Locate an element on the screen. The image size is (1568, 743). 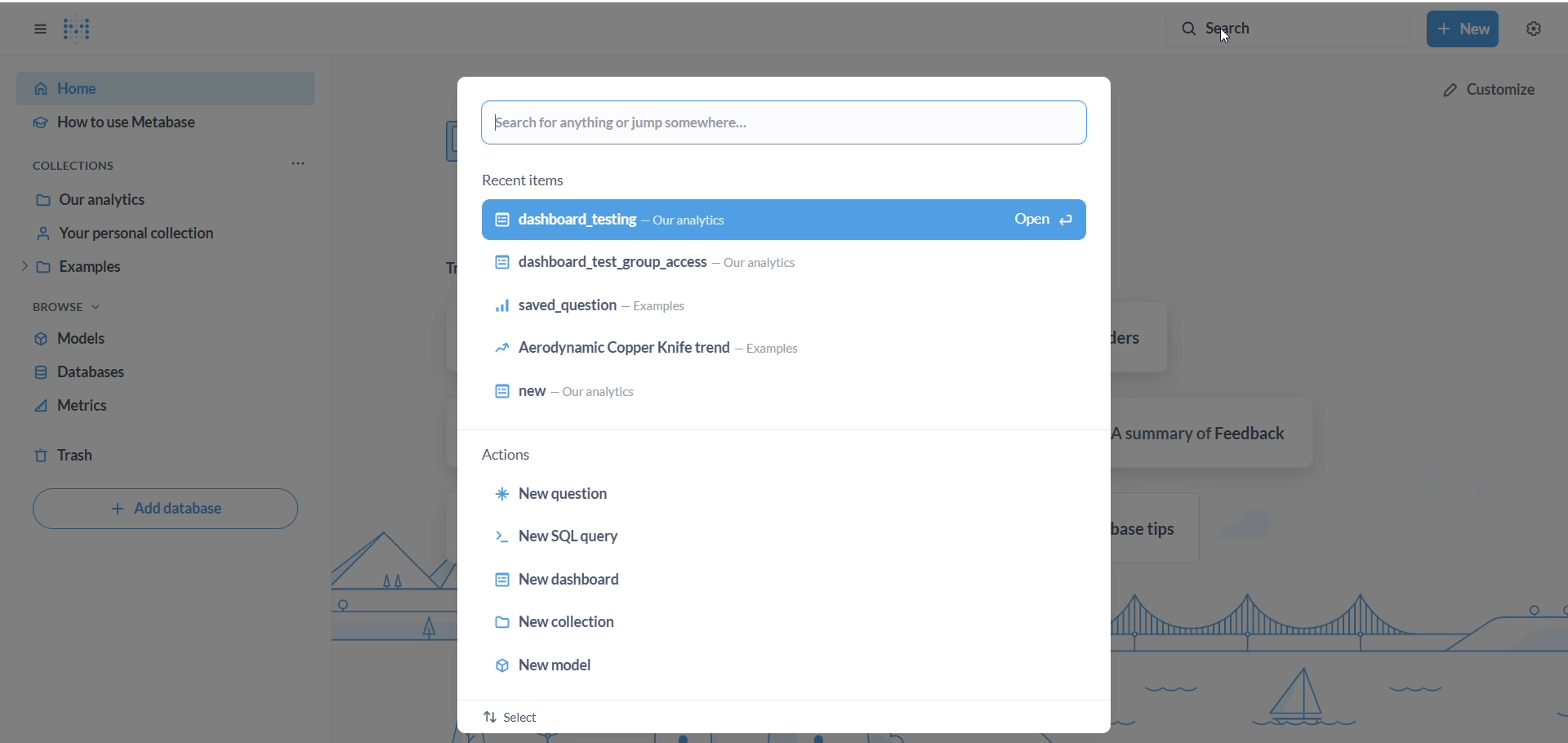
our analytics is located at coordinates (163, 202).